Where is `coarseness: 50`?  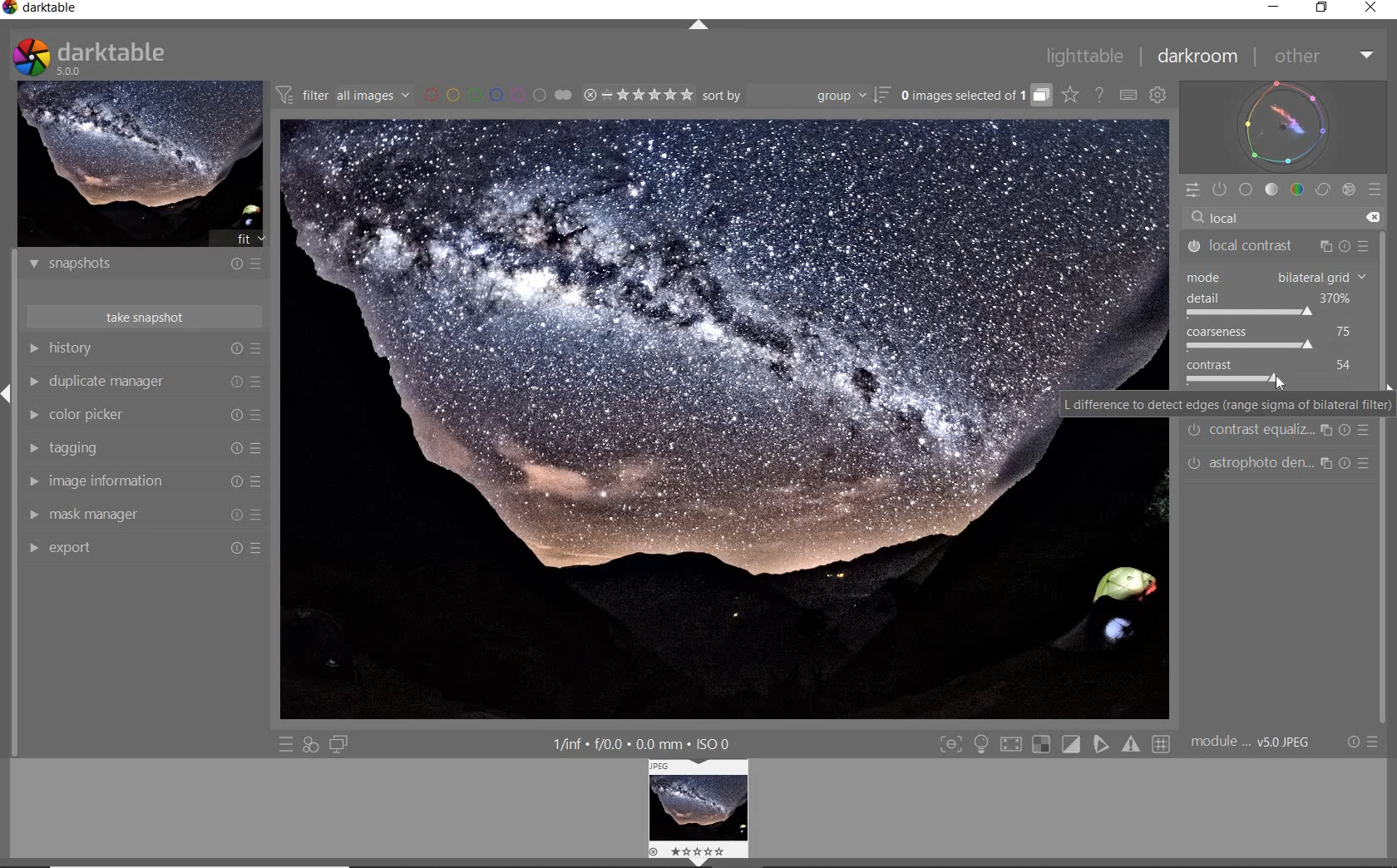
coarseness: 50 is located at coordinates (1267, 332).